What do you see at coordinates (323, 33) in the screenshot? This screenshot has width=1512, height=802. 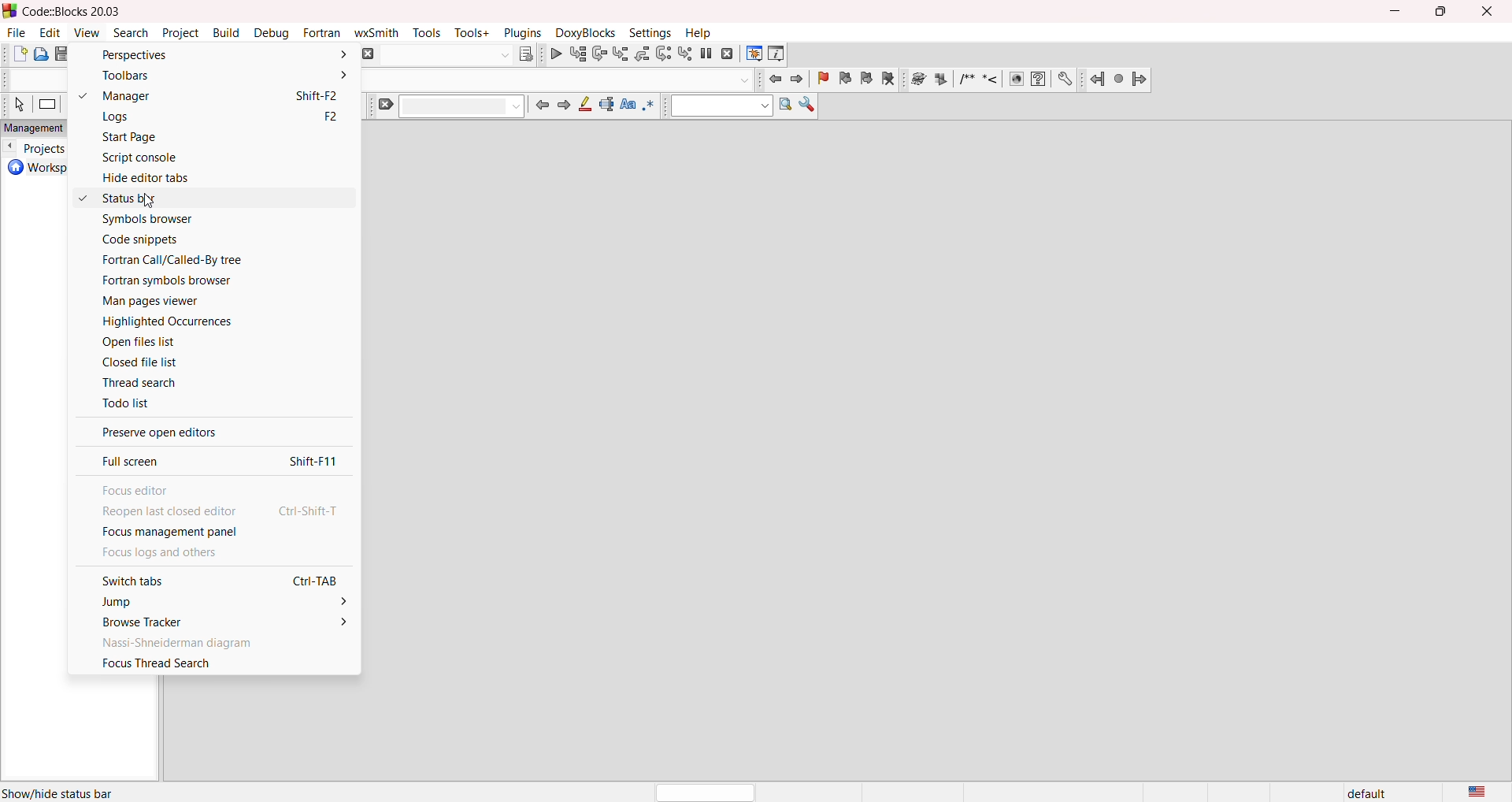 I see `fortran` at bounding box center [323, 33].